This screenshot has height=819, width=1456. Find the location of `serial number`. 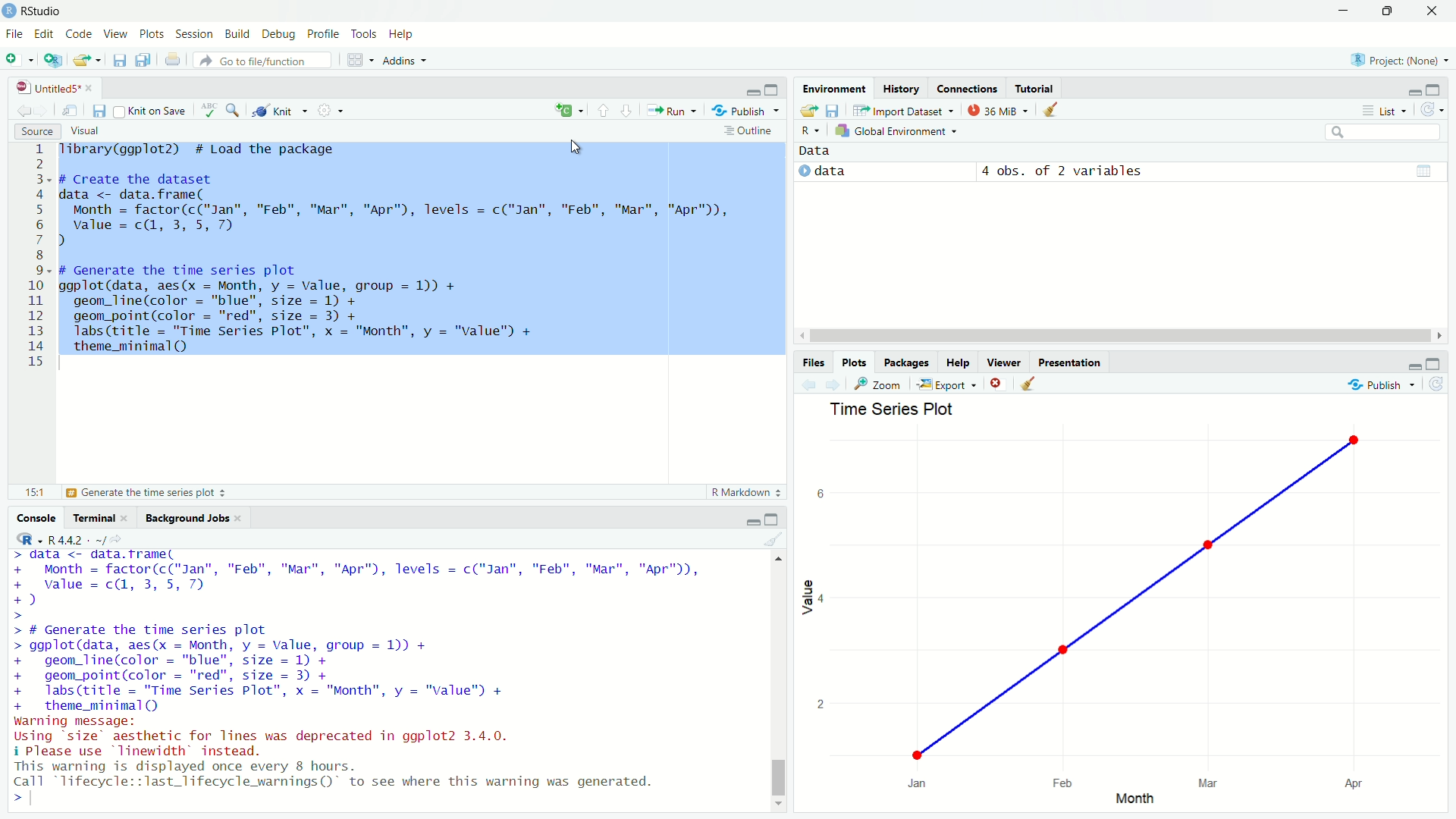

serial number is located at coordinates (36, 259).